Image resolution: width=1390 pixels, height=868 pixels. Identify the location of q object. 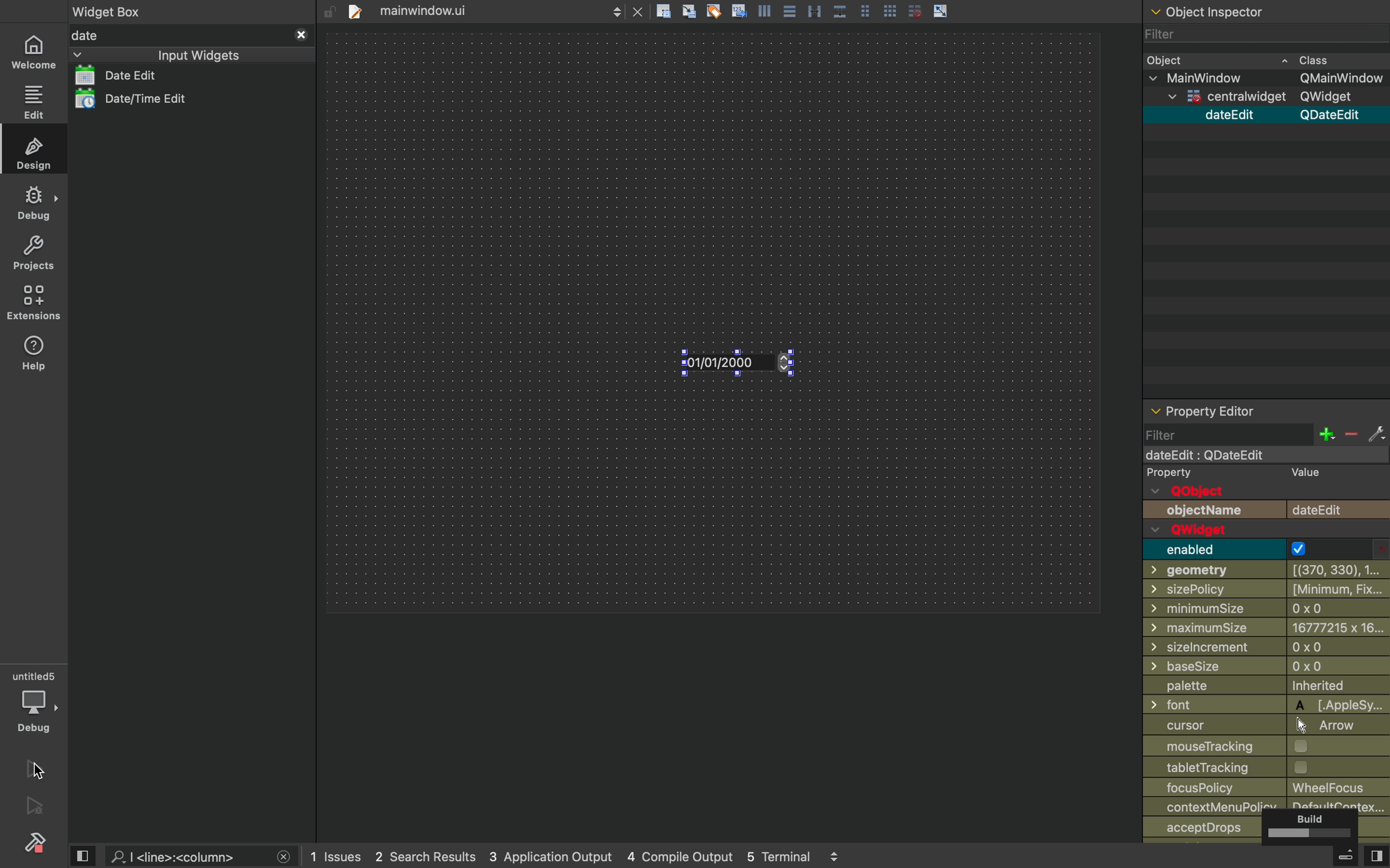
(1196, 493).